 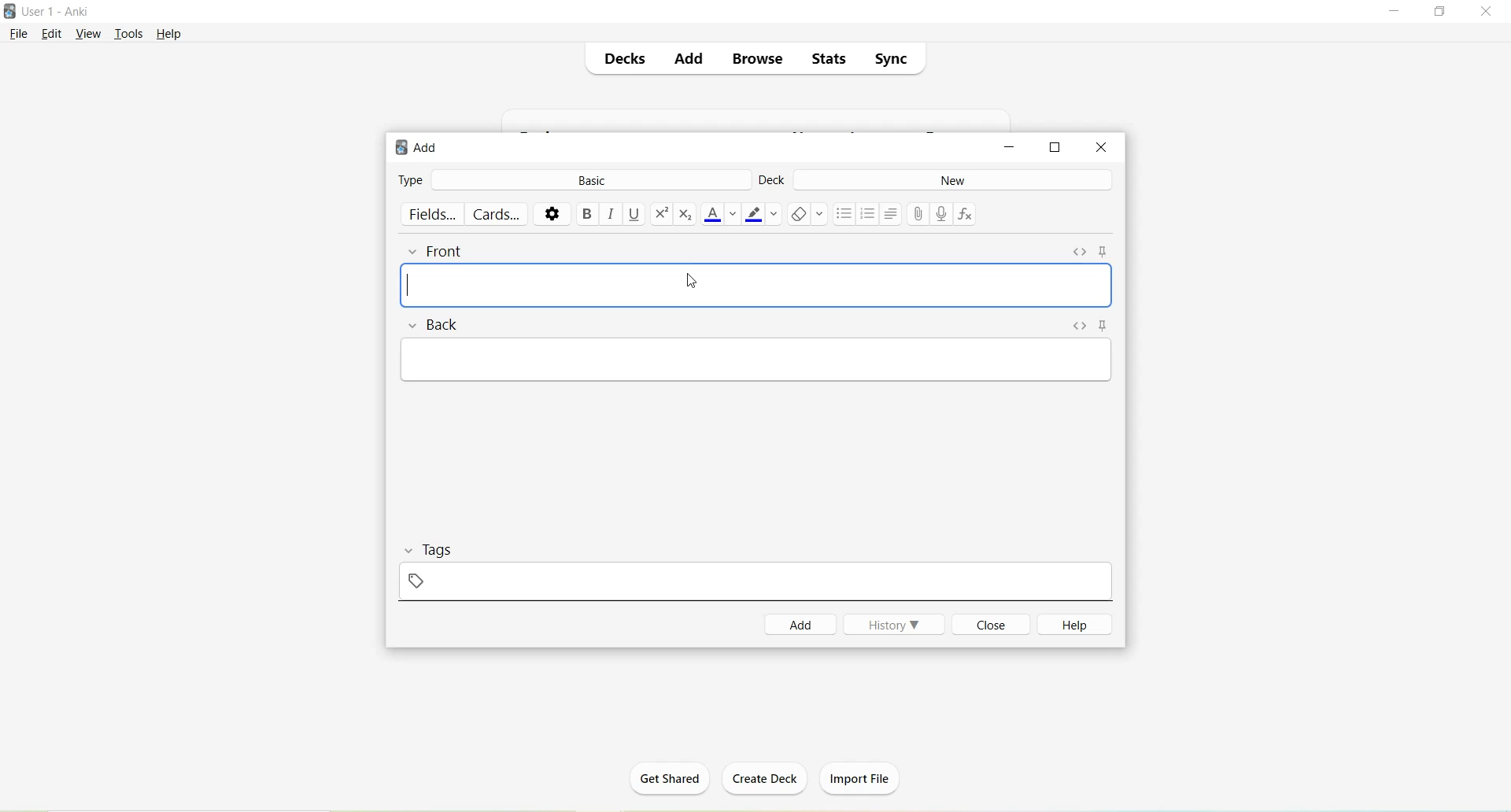 What do you see at coordinates (866, 779) in the screenshot?
I see `Import File` at bounding box center [866, 779].